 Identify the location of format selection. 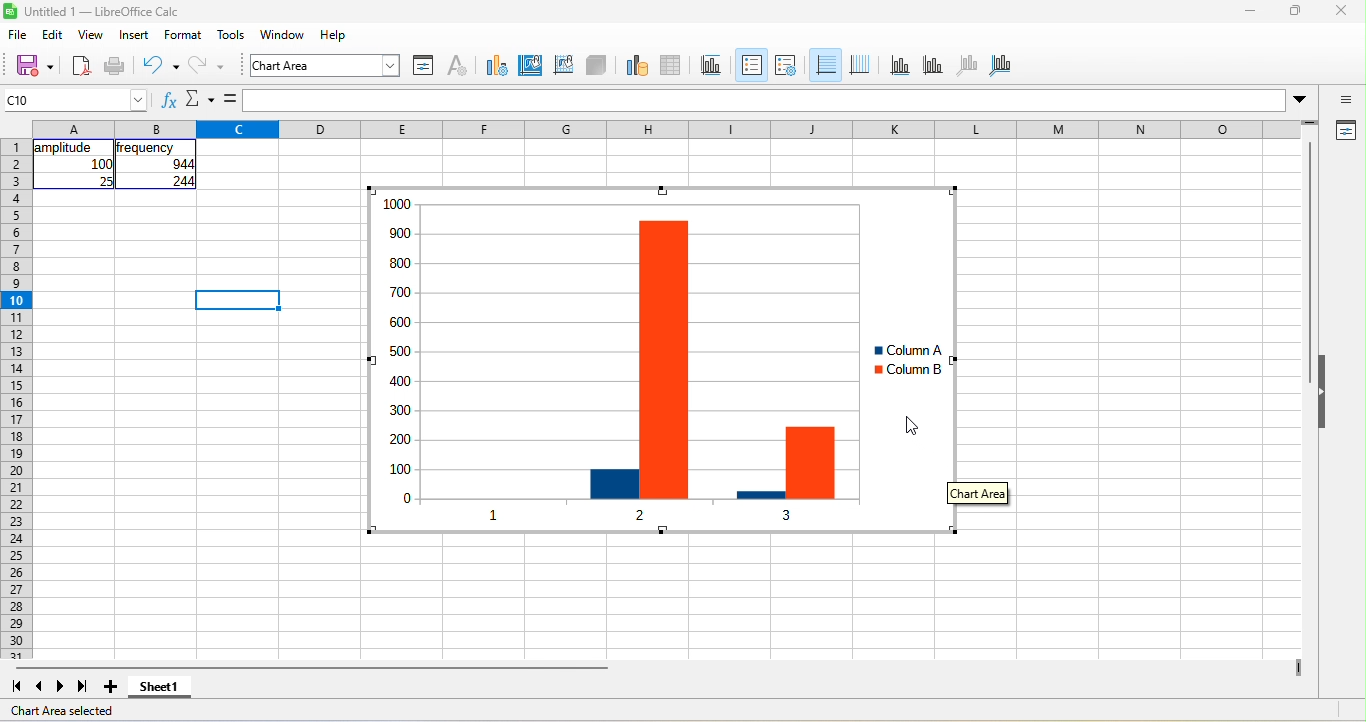
(424, 66).